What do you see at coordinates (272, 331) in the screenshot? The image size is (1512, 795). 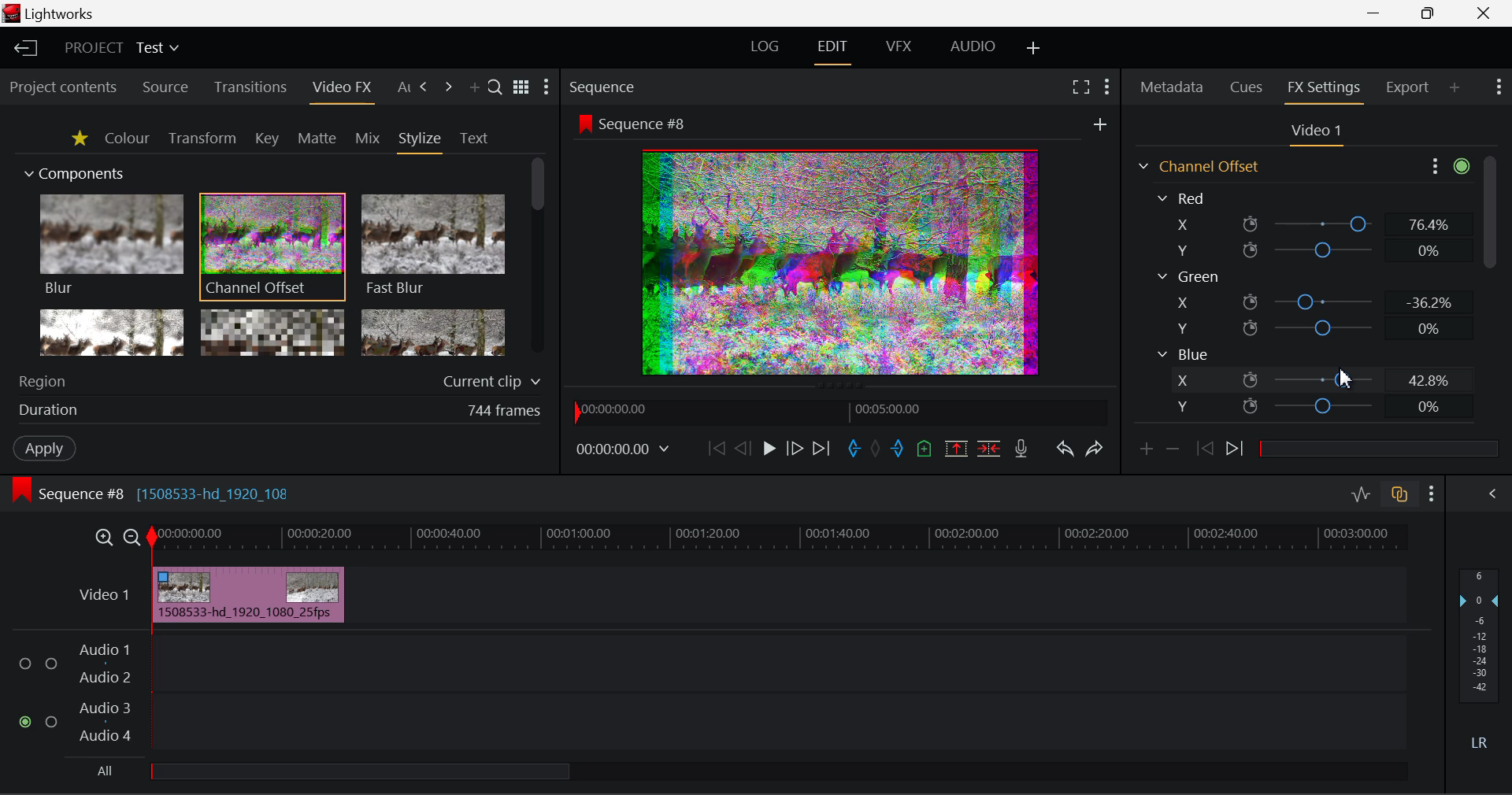 I see `Mosaic` at bounding box center [272, 331].